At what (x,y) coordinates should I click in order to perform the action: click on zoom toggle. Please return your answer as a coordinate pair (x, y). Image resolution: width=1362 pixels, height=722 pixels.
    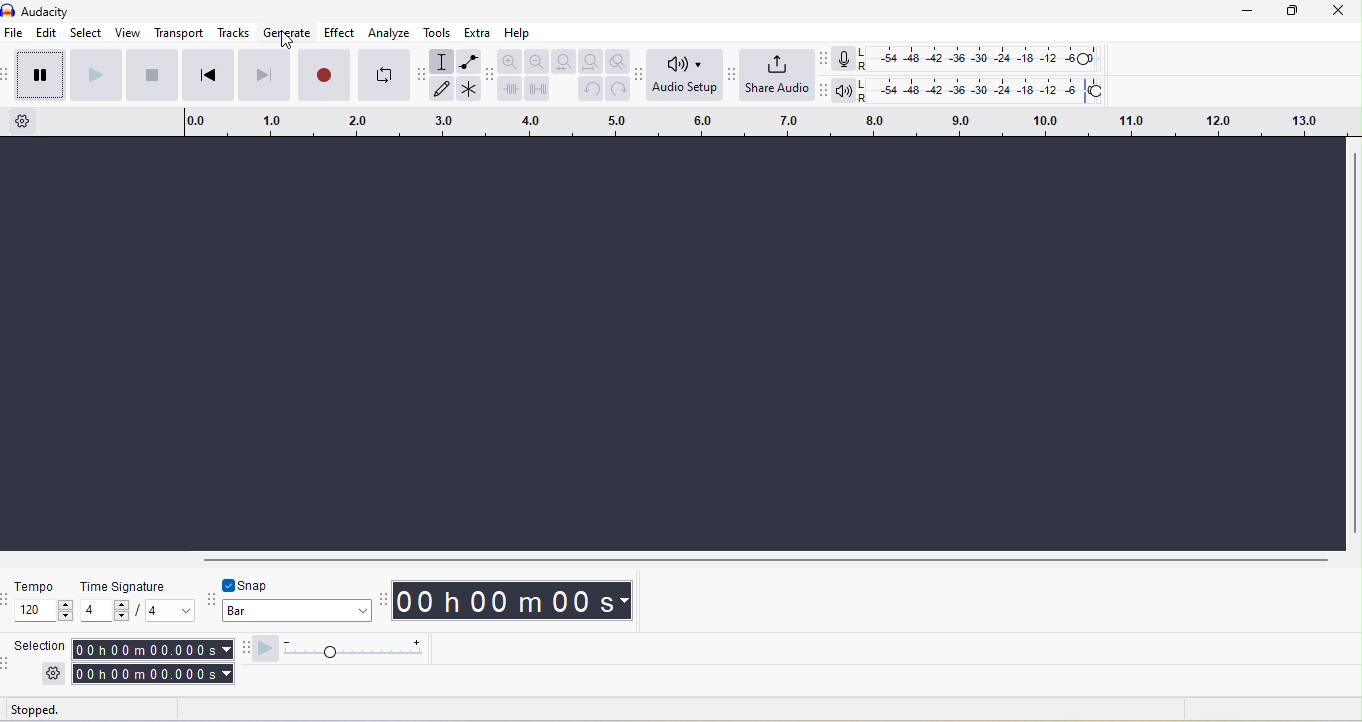
    Looking at the image, I should click on (620, 62).